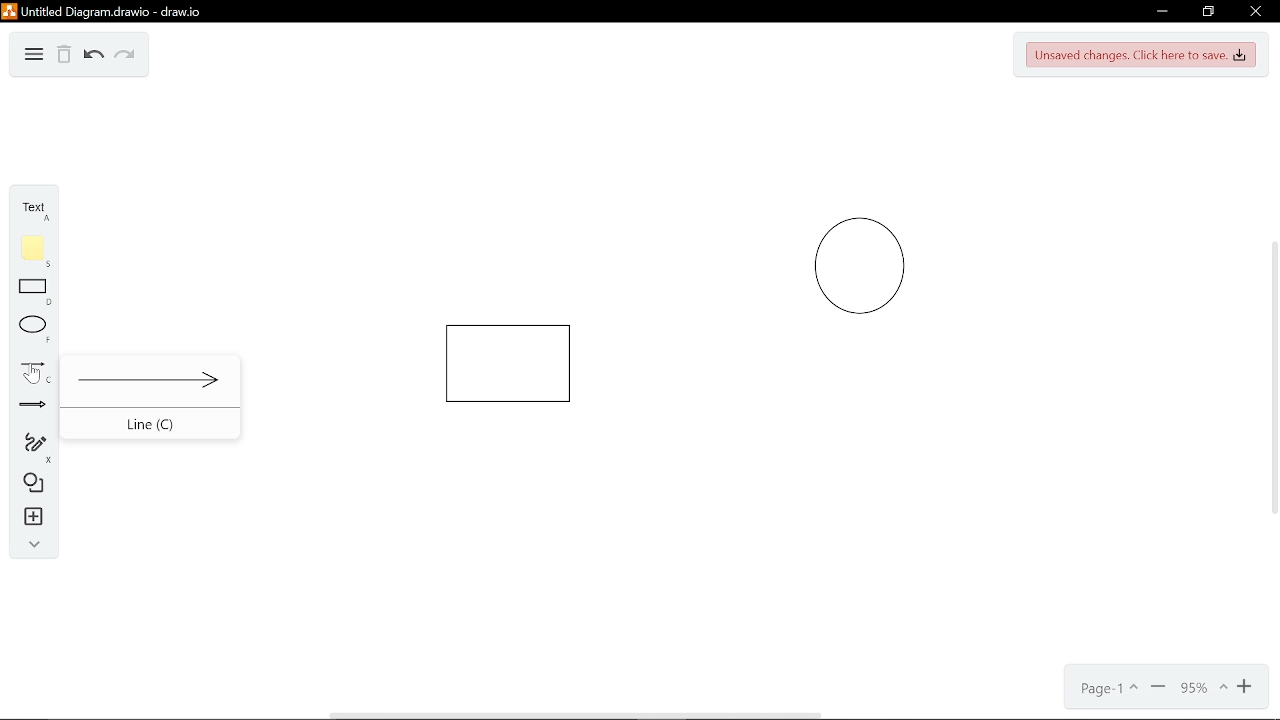  What do you see at coordinates (857, 272) in the screenshot?
I see `Circle` at bounding box center [857, 272].